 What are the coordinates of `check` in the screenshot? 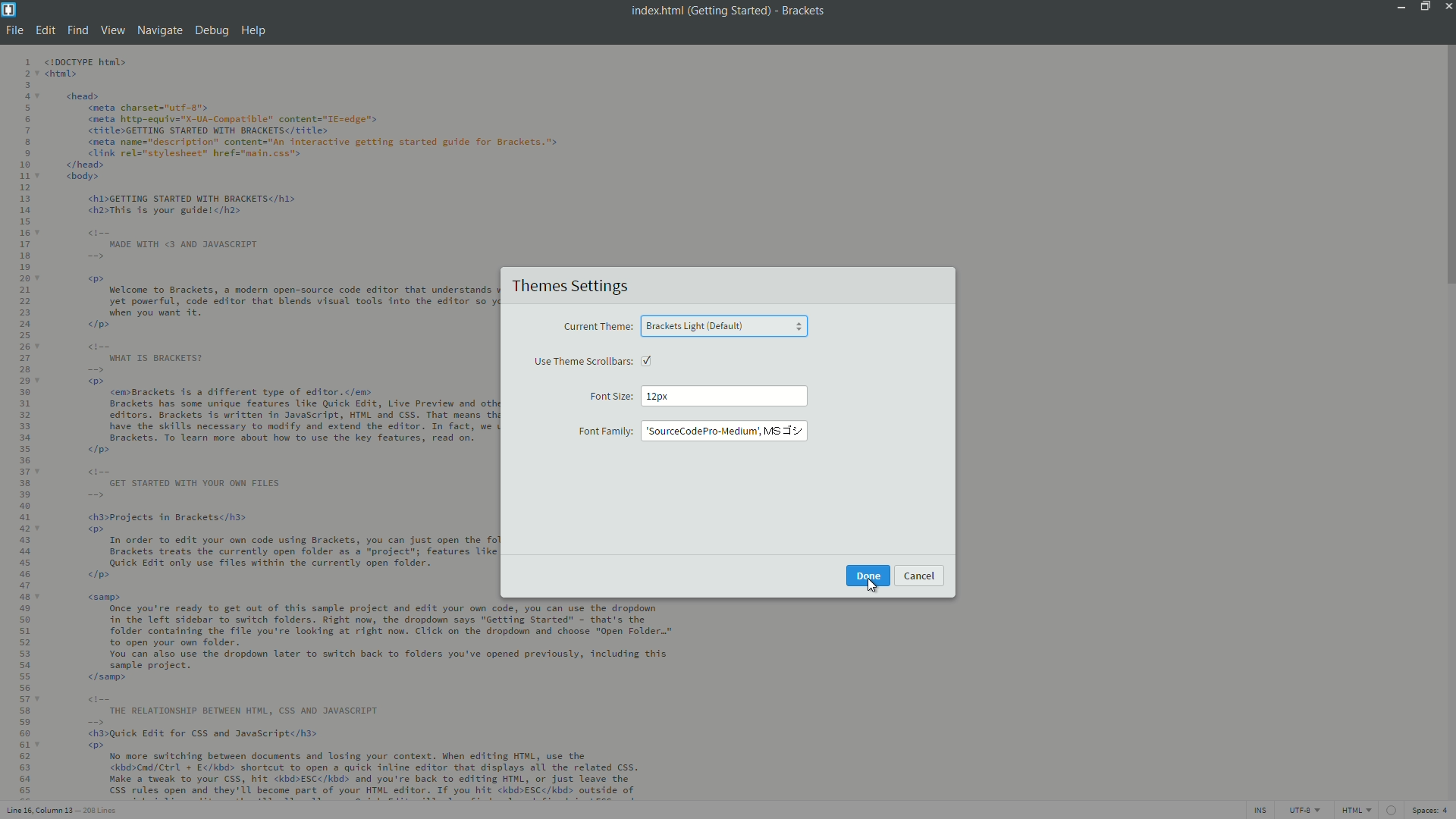 It's located at (652, 361).